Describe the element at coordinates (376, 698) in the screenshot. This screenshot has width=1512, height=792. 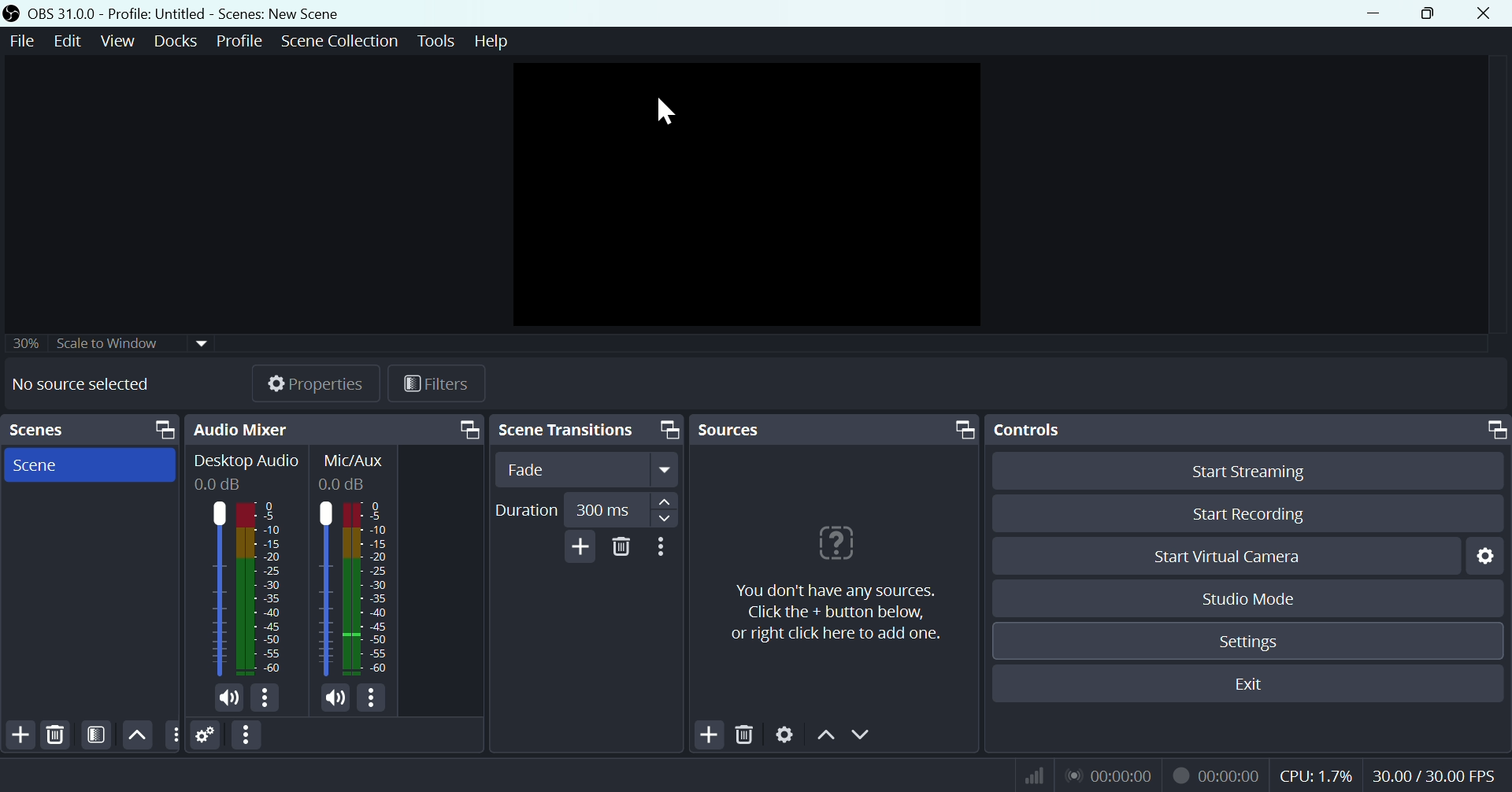
I see `more options` at that location.